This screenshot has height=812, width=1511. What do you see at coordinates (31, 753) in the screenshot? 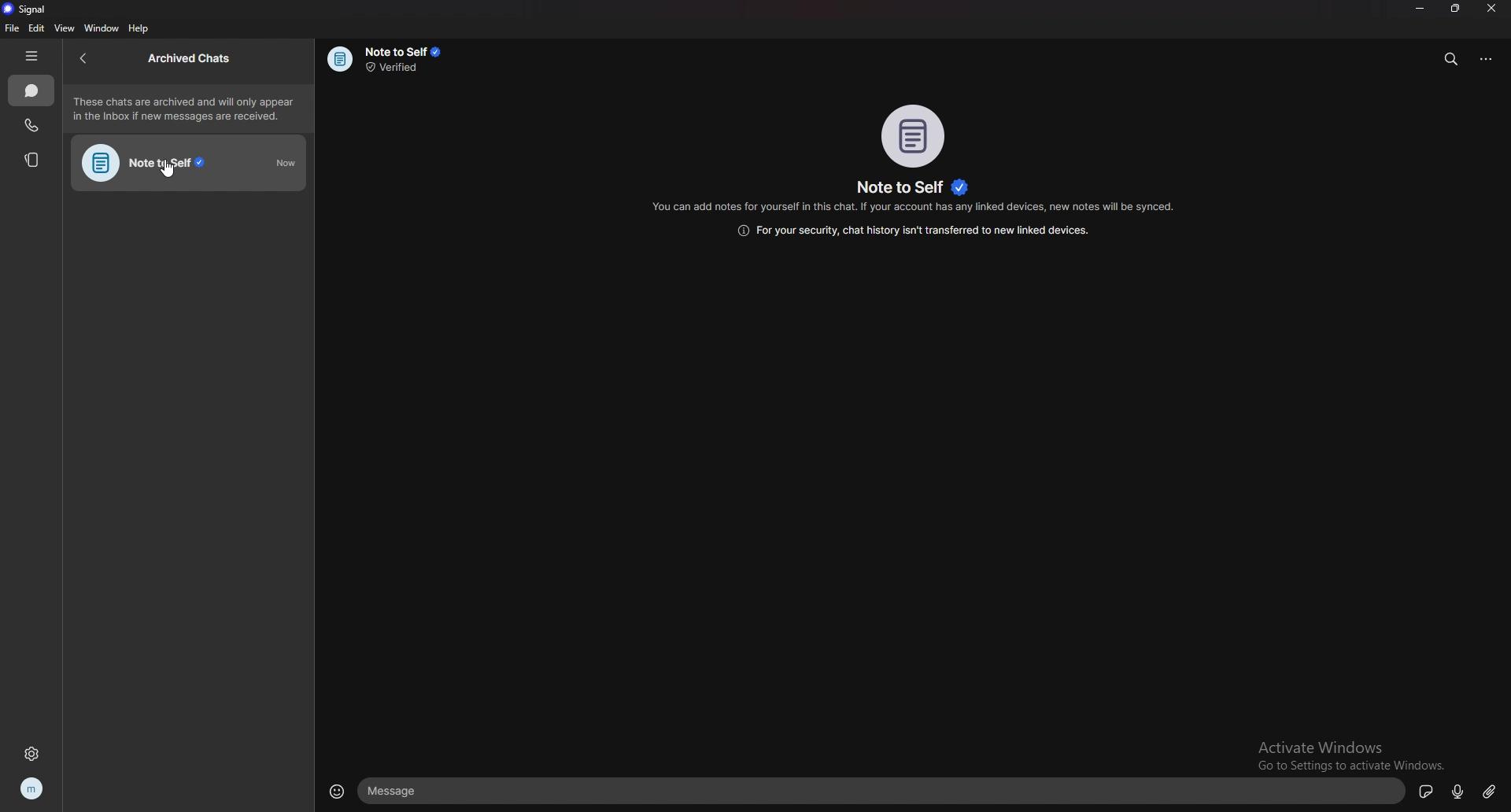
I see `settings` at bounding box center [31, 753].